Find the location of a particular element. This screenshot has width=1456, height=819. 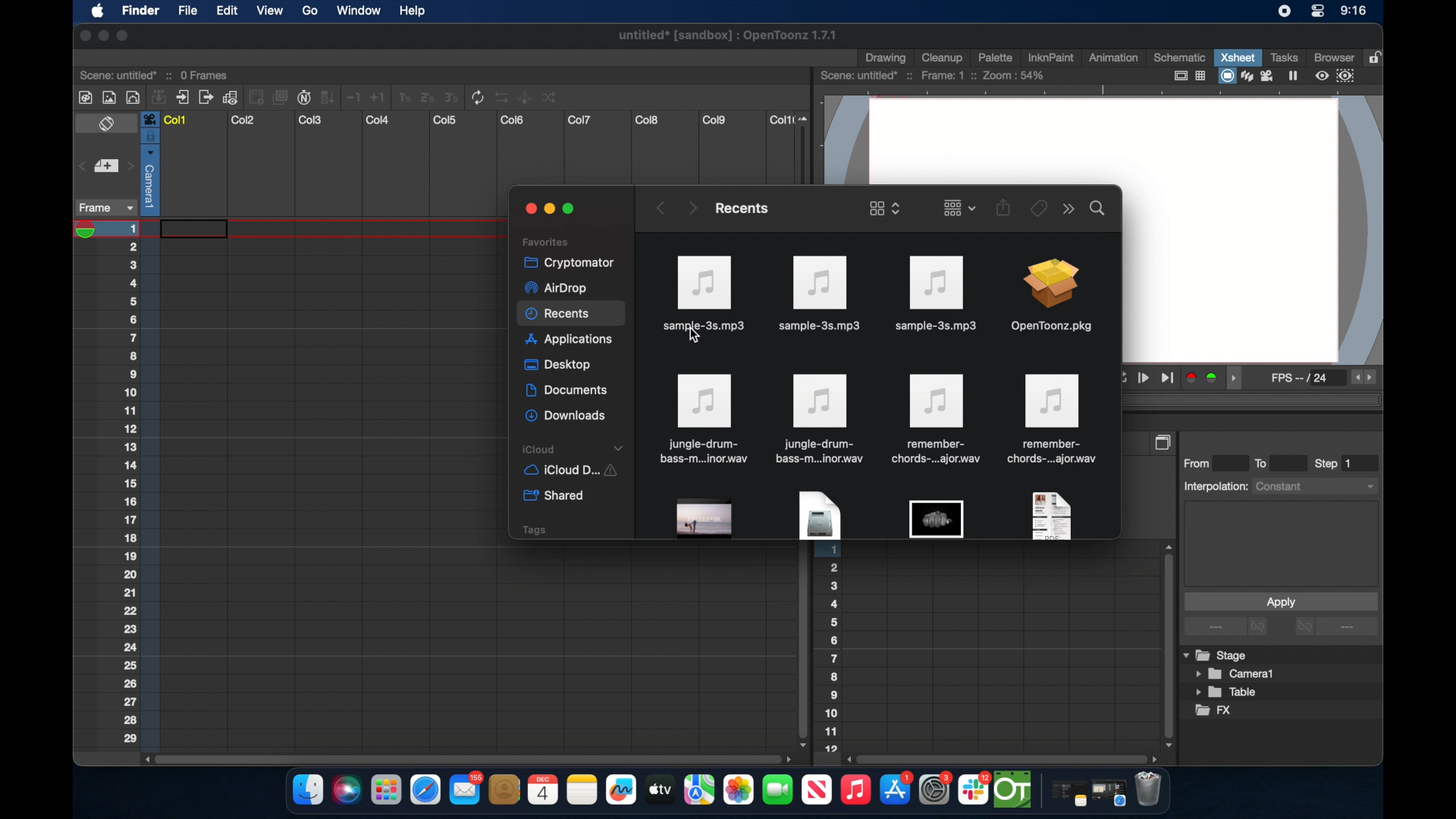

go is located at coordinates (309, 11).